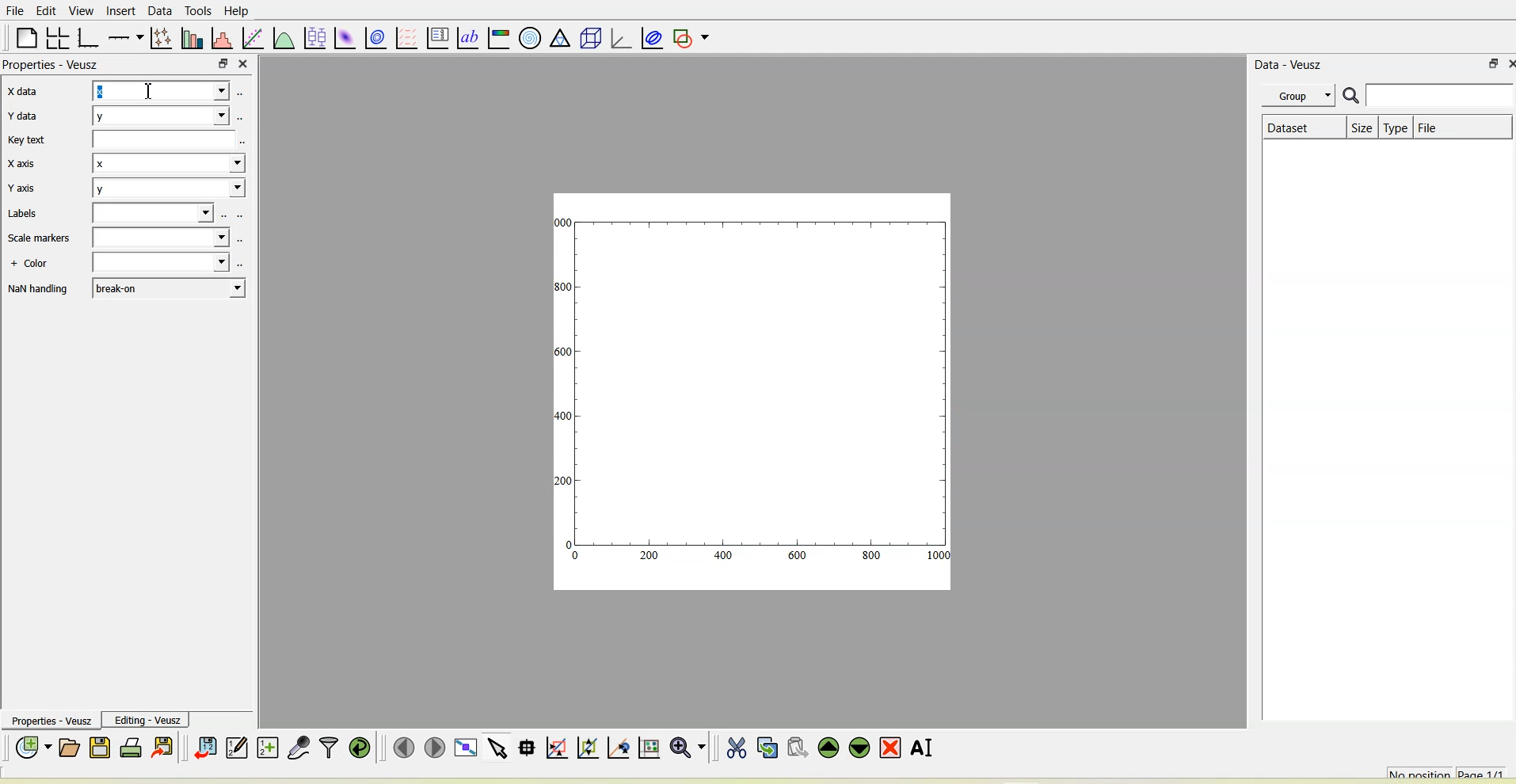 The width and height of the screenshot is (1516, 784). Describe the element at coordinates (162, 36) in the screenshot. I see `Plot points with lines and errorbars` at that location.